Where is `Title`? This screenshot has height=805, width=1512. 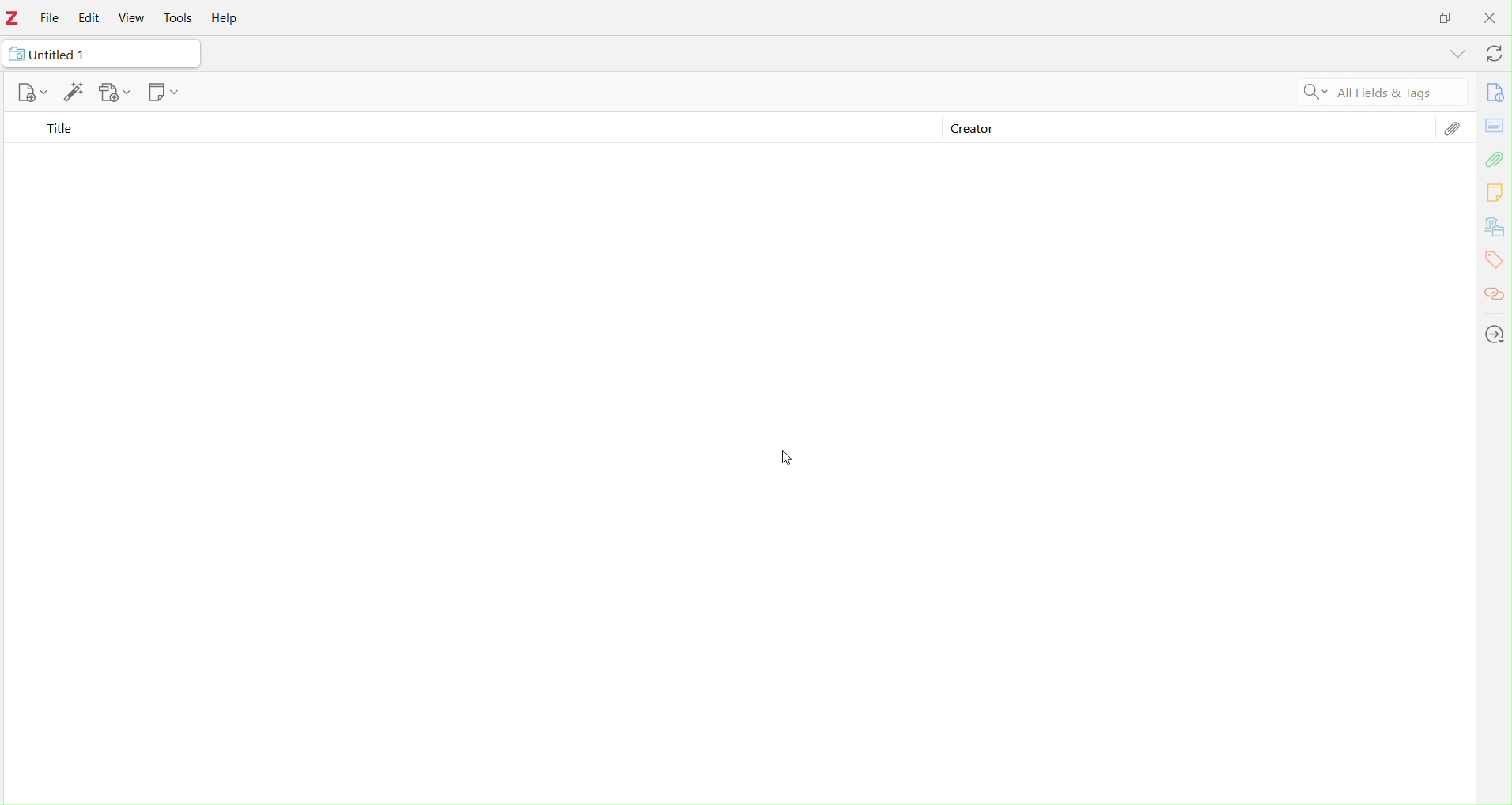 Title is located at coordinates (59, 130).